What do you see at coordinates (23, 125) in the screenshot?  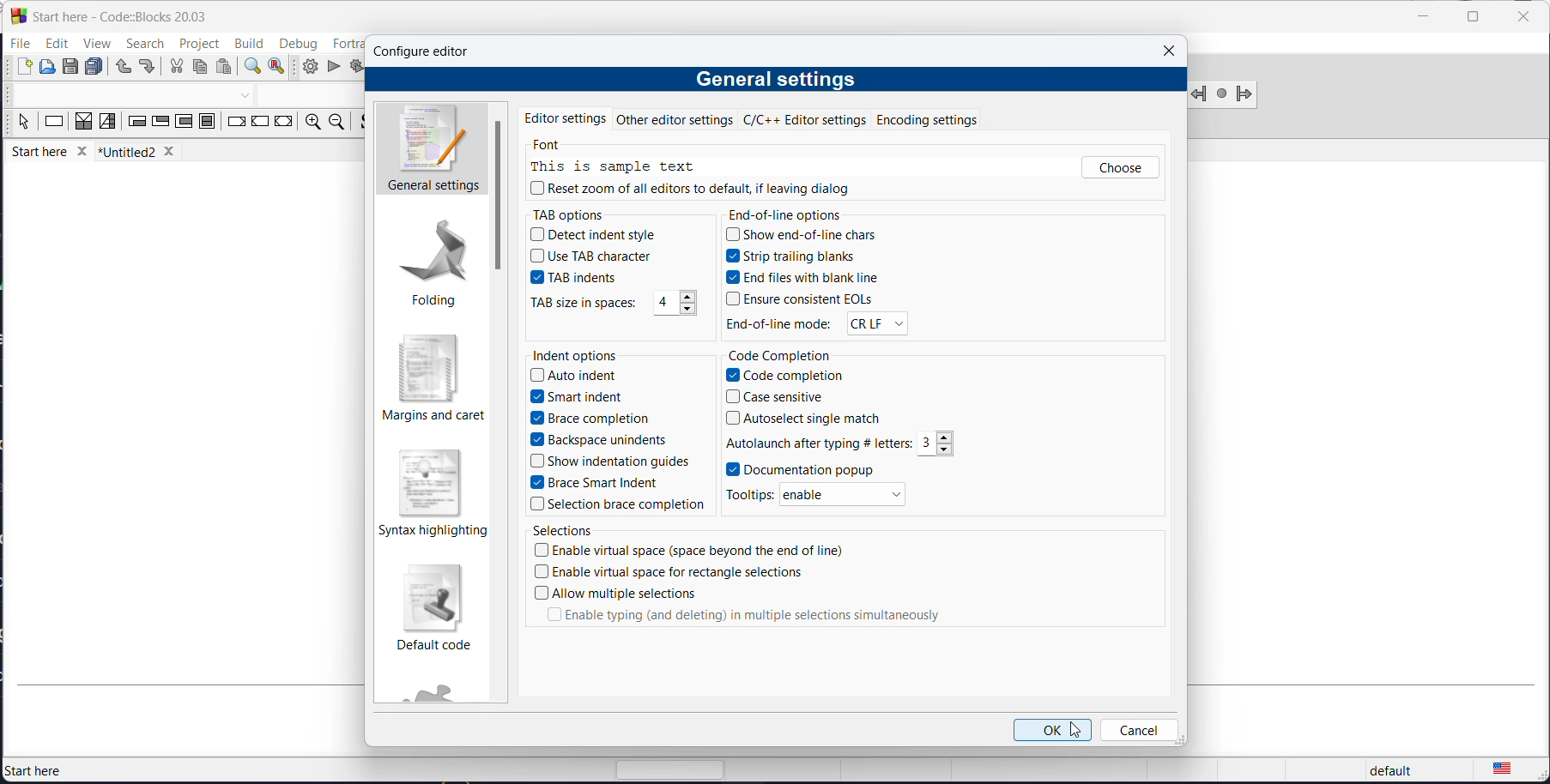 I see `select` at bounding box center [23, 125].